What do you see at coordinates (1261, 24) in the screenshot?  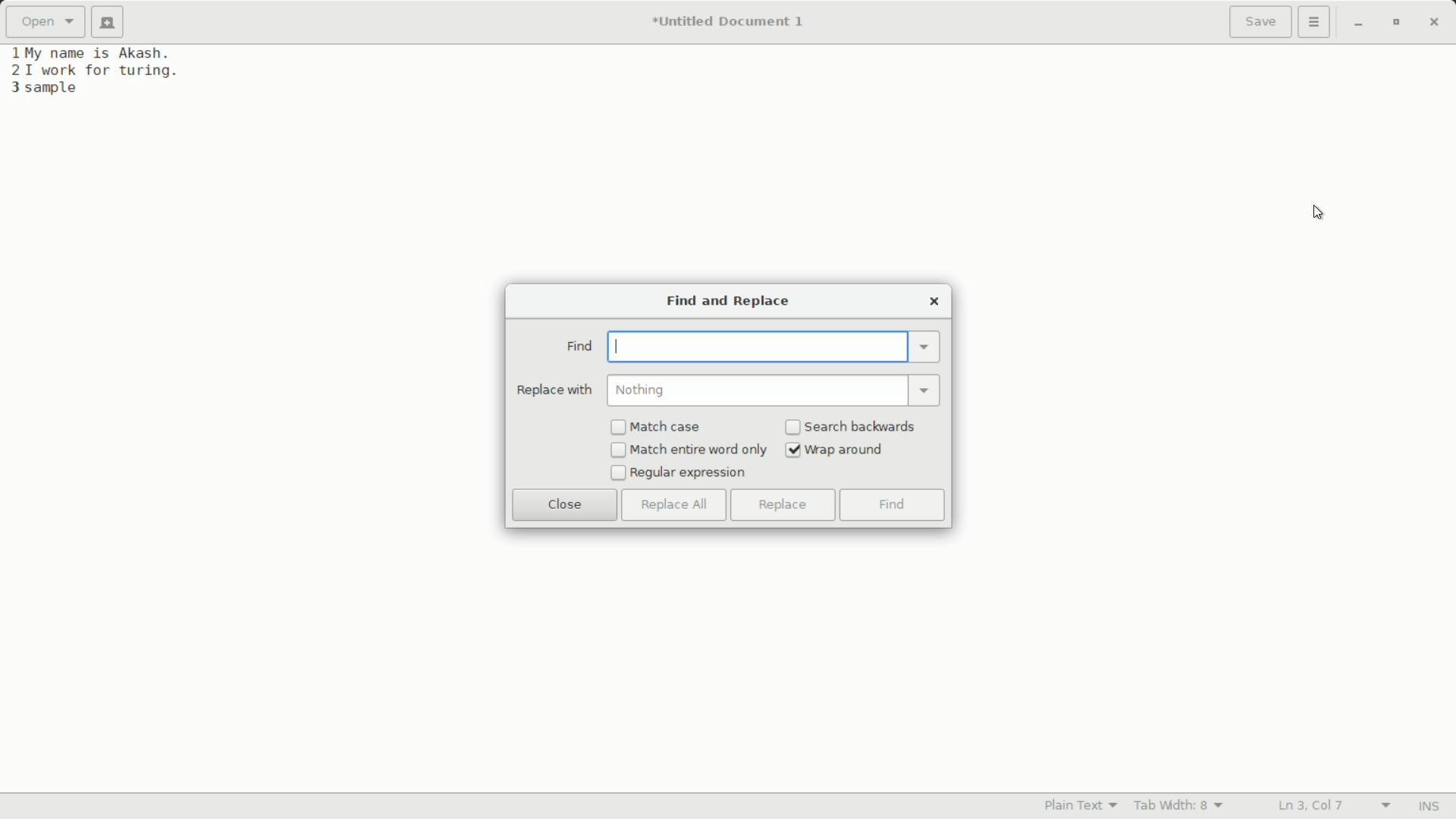 I see `save` at bounding box center [1261, 24].